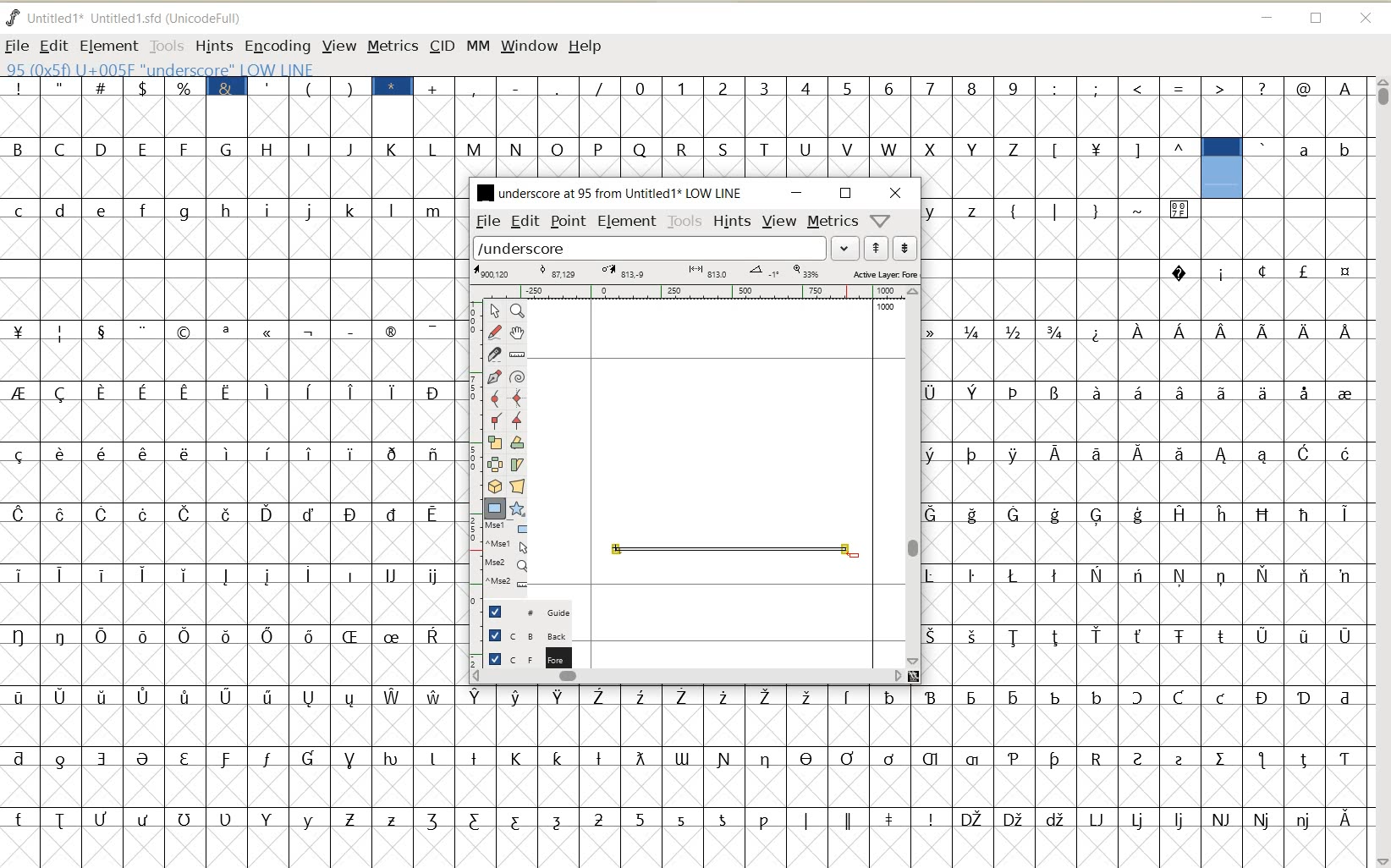  What do you see at coordinates (518, 442) in the screenshot?
I see `Rotate the selection` at bounding box center [518, 442].